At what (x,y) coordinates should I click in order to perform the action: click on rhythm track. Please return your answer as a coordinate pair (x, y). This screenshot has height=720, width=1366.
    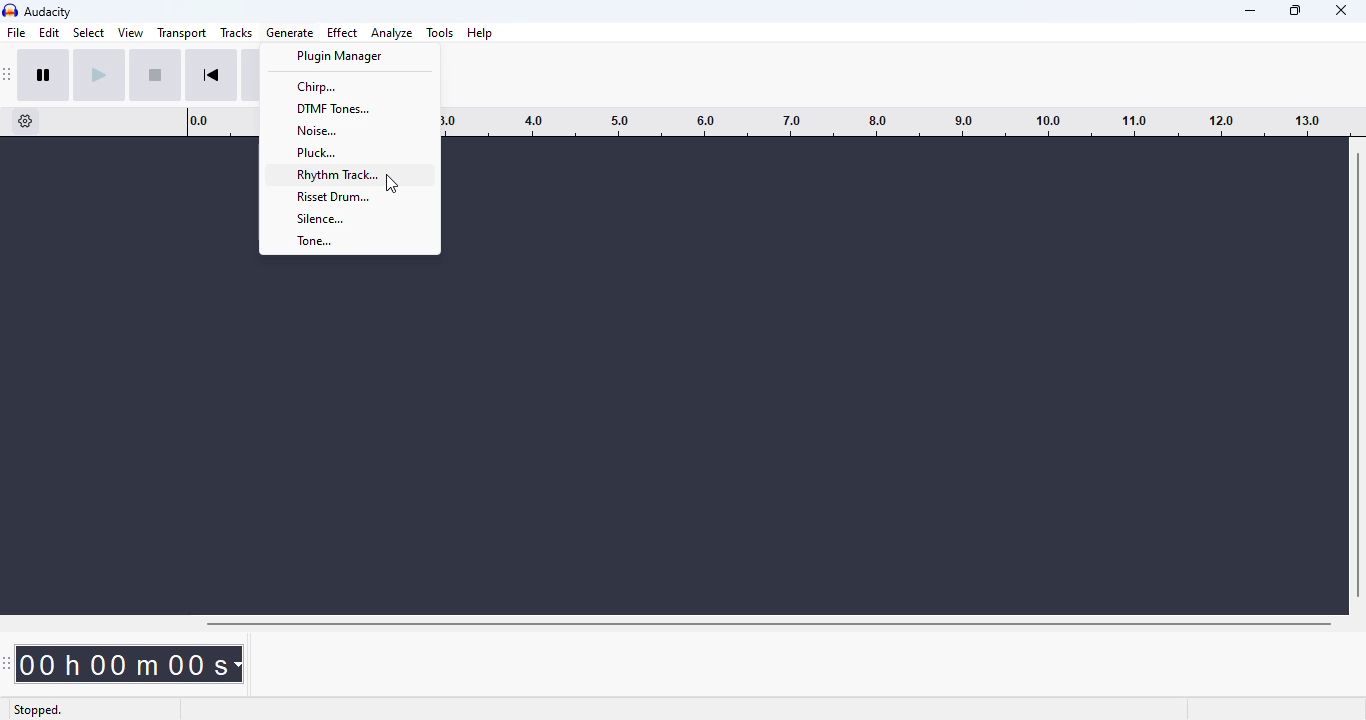
    Looking at the image, I should click on (345, 174).